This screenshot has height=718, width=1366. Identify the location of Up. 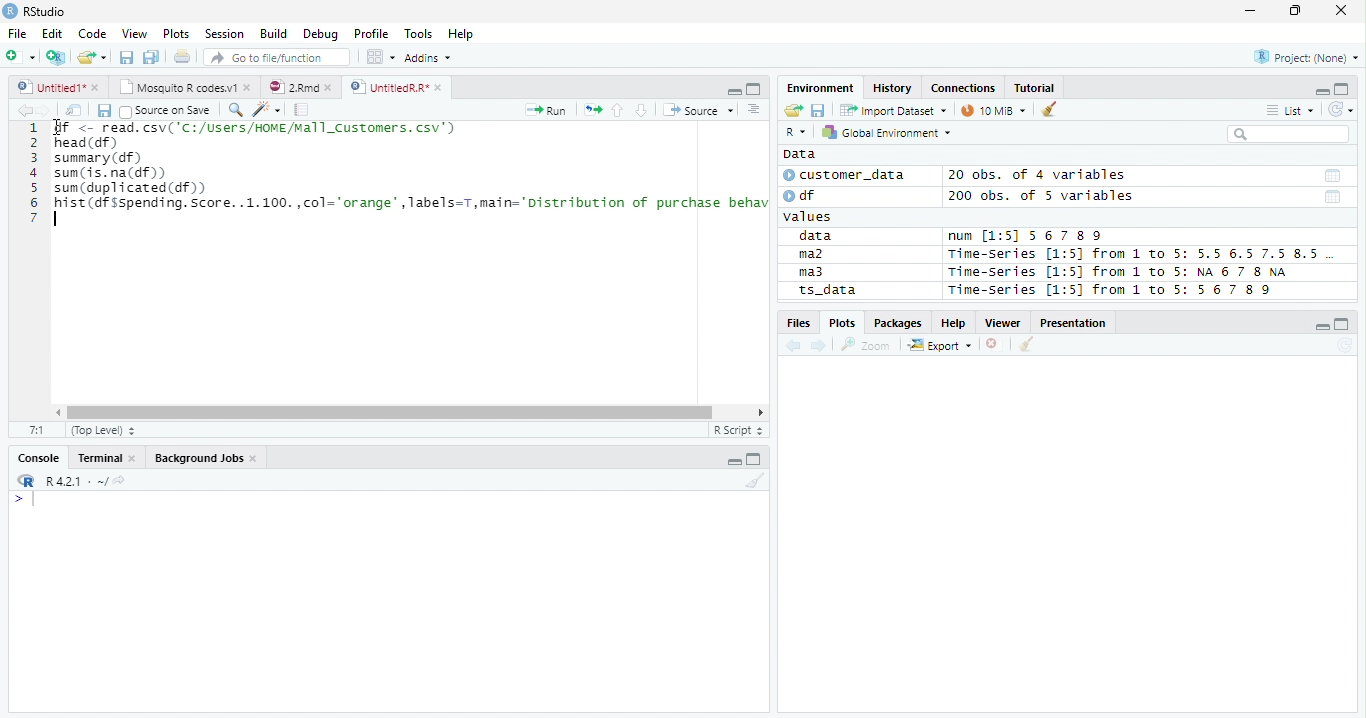
(617, 111).